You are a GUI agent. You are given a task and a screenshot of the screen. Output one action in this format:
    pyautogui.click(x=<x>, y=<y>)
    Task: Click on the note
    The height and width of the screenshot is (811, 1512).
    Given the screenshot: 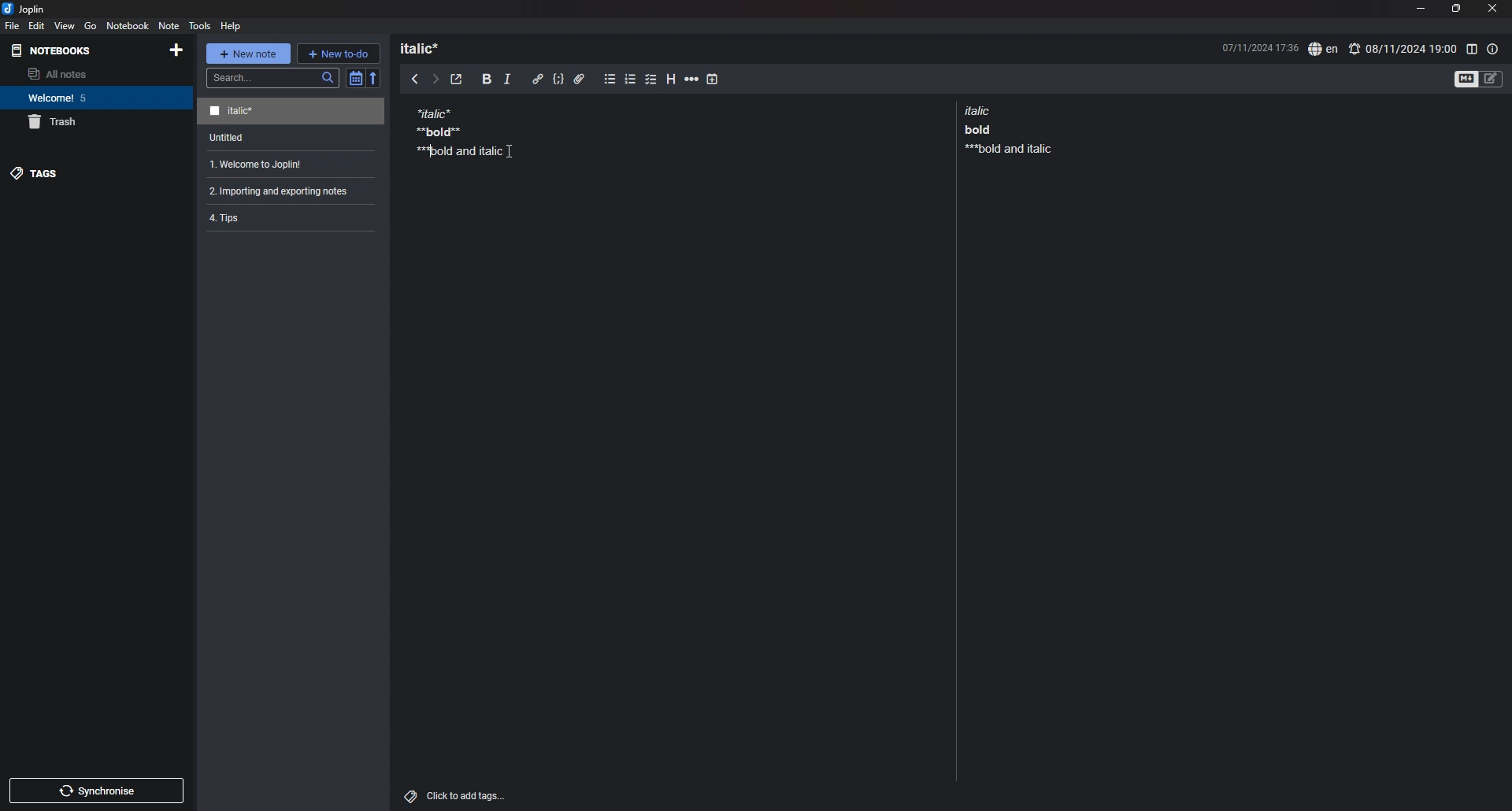 What is the action you would take?
    pyautogui.click(x=287, y=165)
    